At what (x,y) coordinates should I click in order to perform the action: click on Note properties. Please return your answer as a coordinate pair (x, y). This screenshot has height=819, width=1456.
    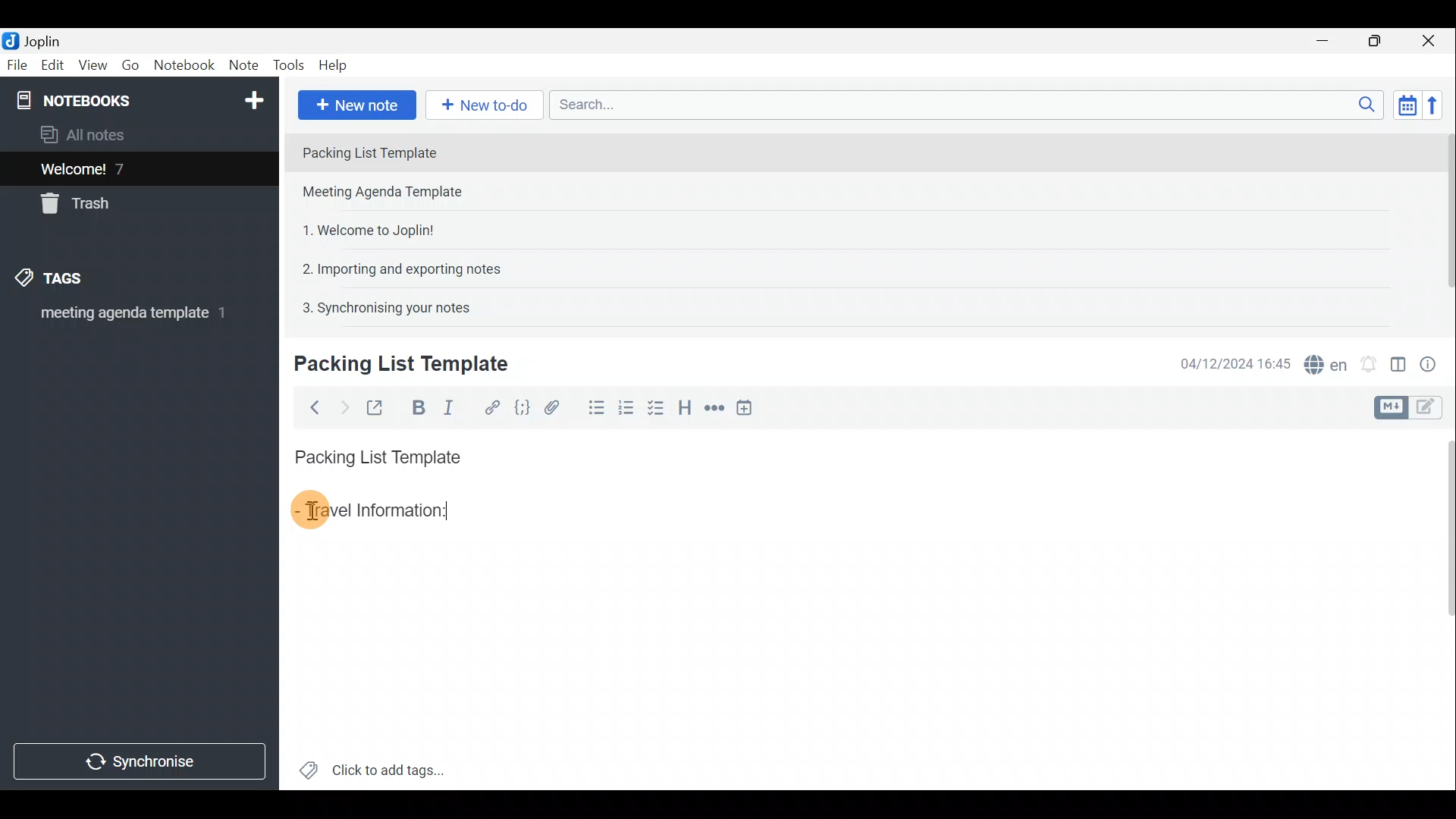
    Looking at the image, I should click on (1433, 362).